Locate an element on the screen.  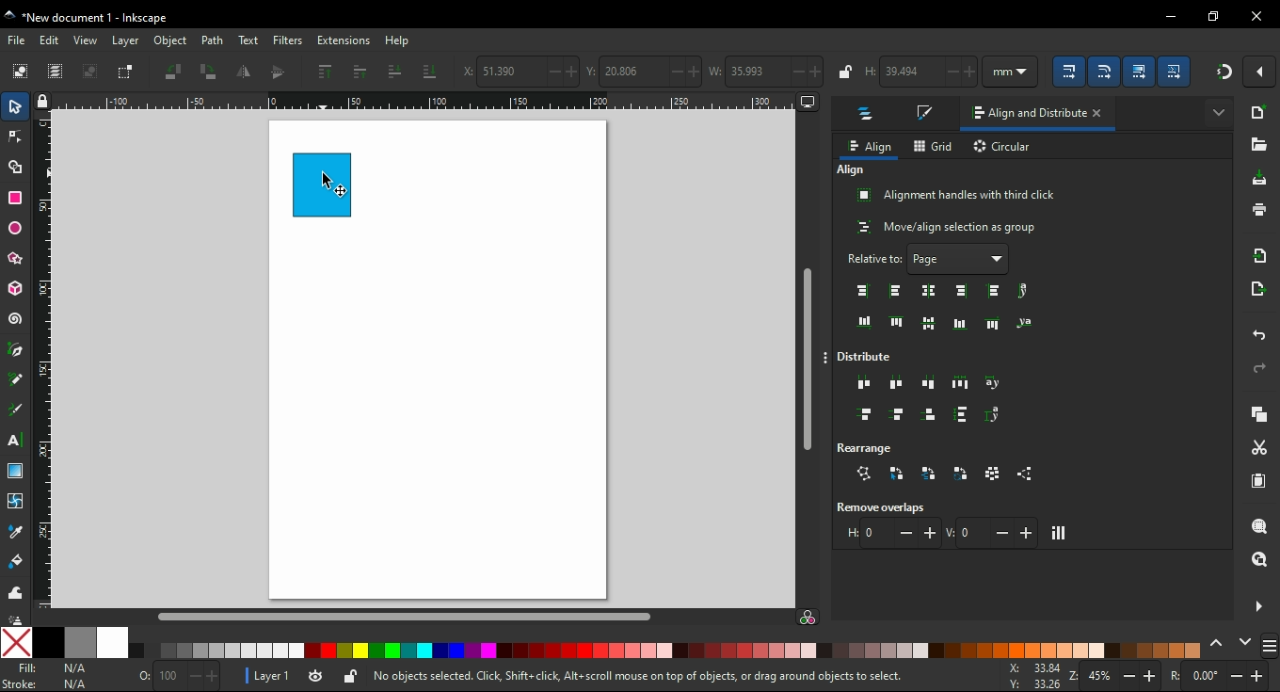
vertical ruler is located at coordinates (48, 359).